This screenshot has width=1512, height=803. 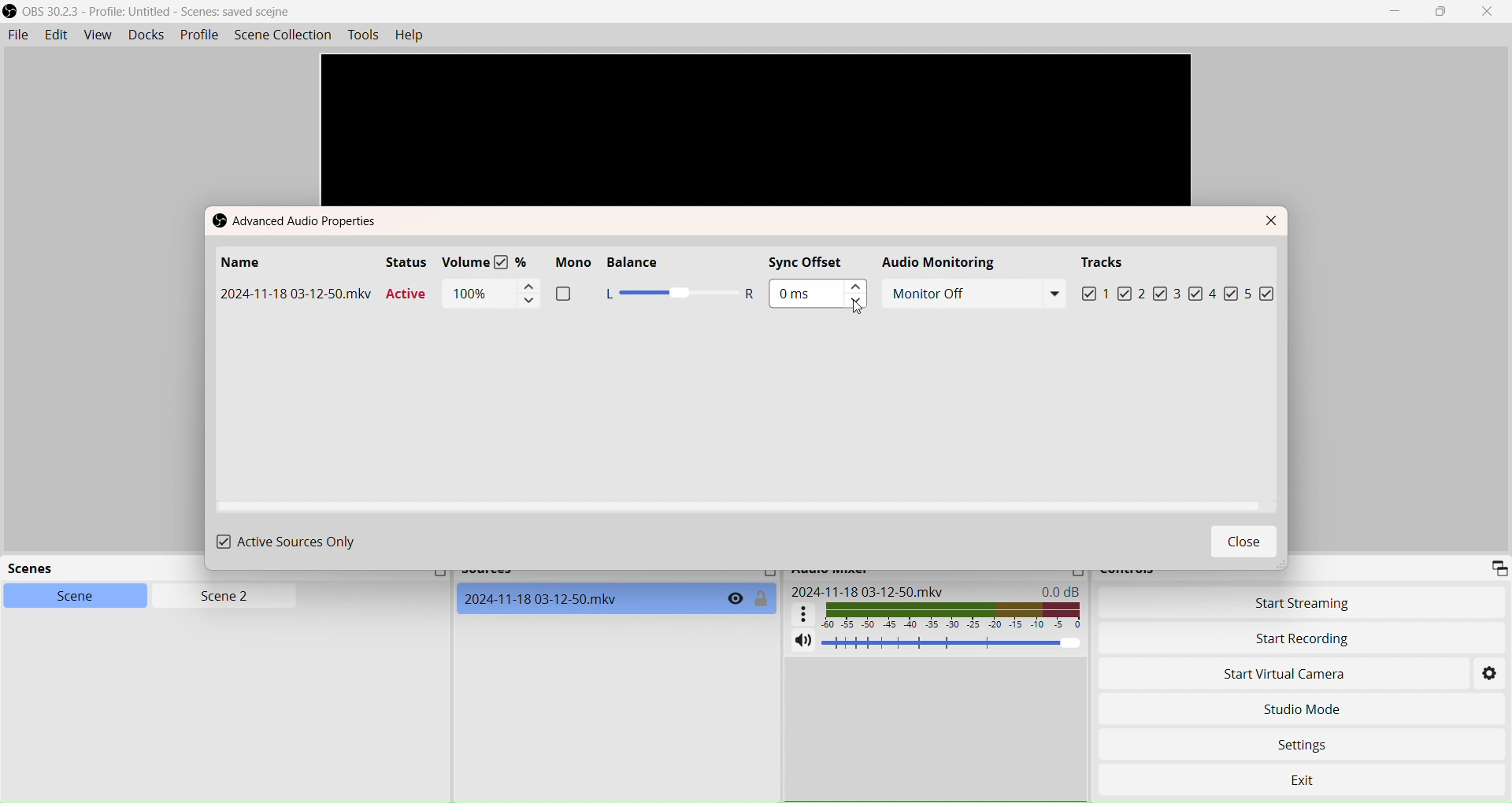 I want to click on Close, so click(x=1245, y=544).